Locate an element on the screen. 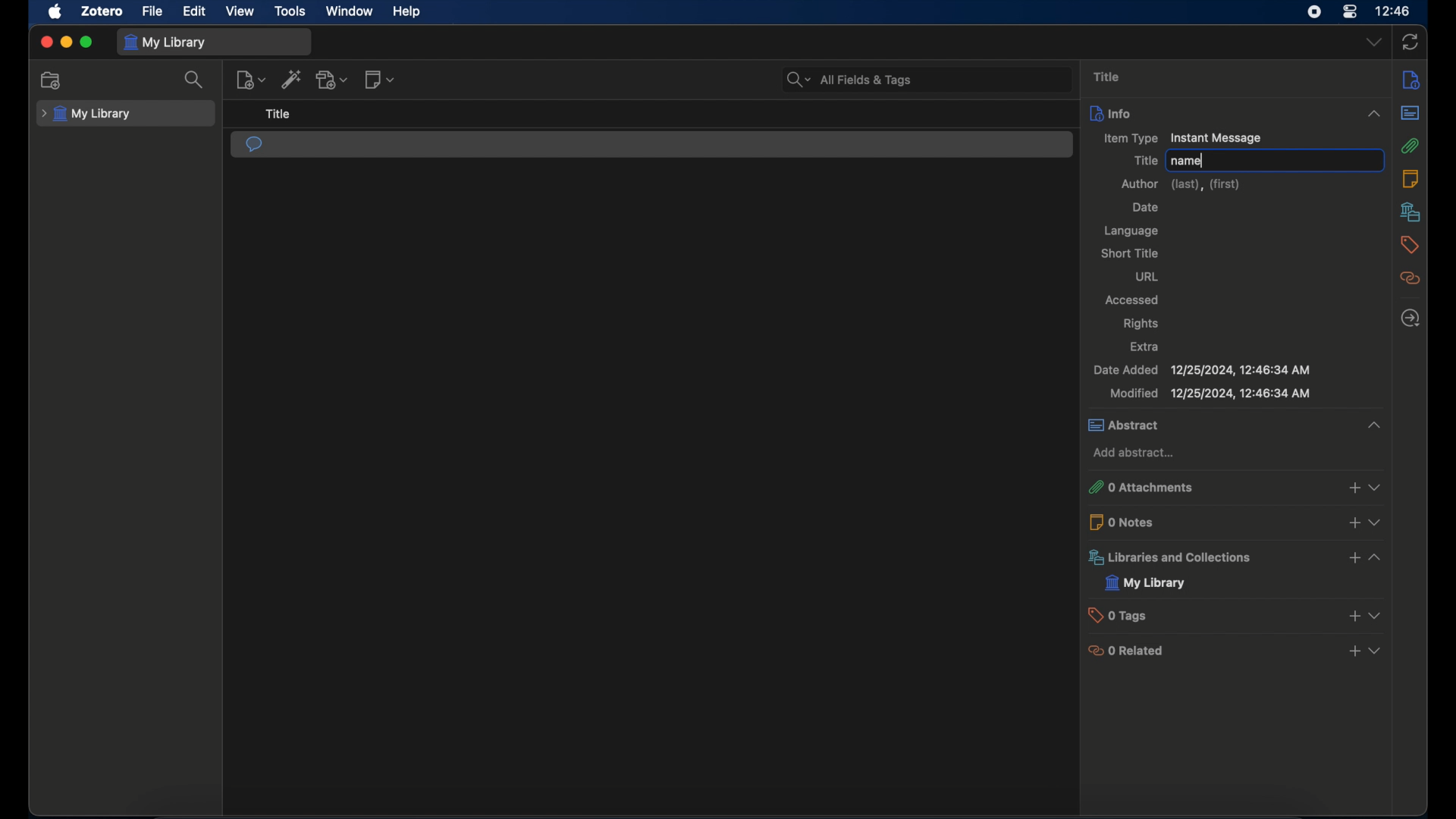 The width and height of the screenshot is (1456, 819). libraries and collections is located at coordinates (1410, 212).